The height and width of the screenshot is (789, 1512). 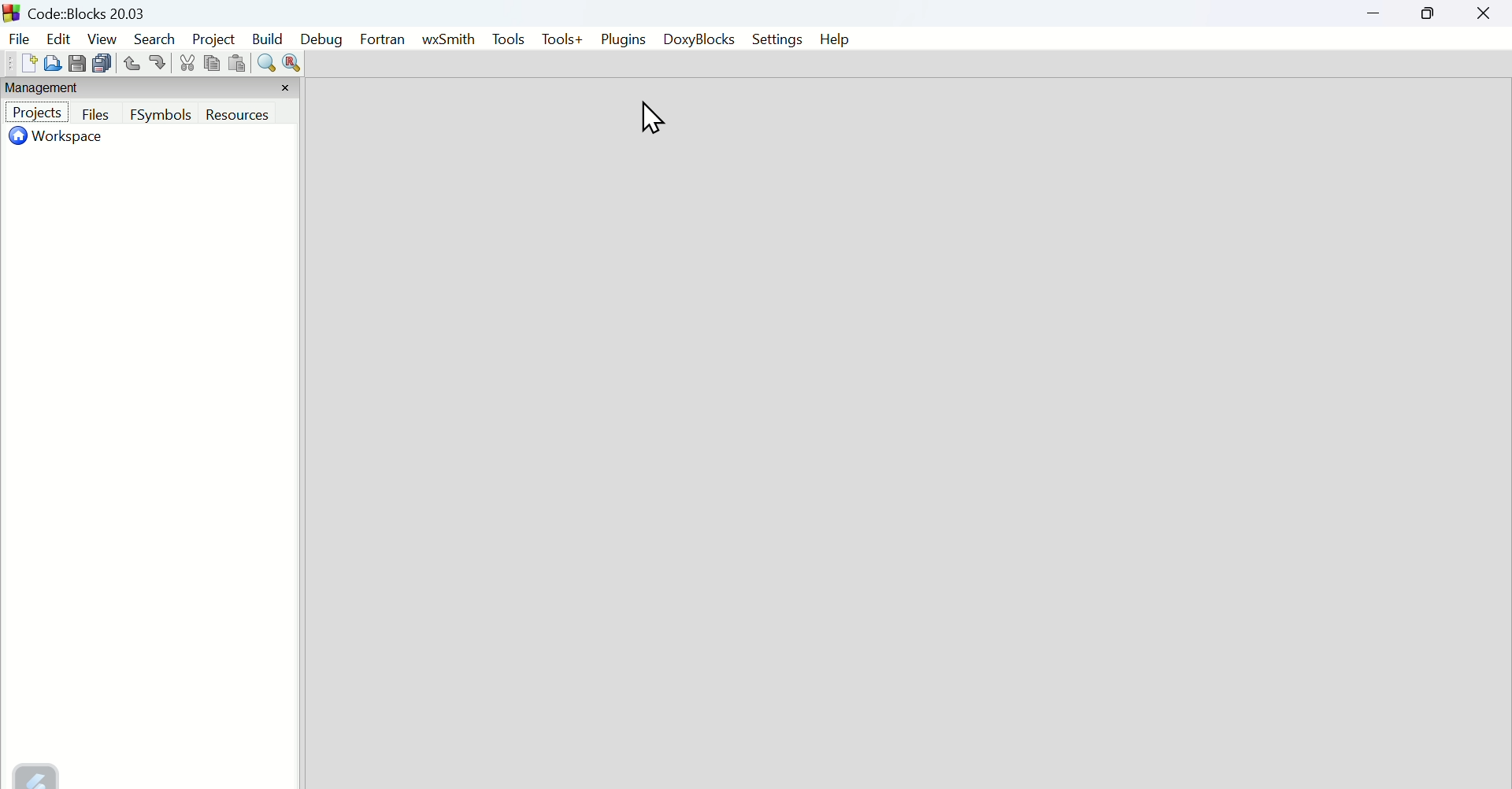 What do you see at coordinates (161, 114) in the screenshot?
I see `F symbols` at bounding box center [161, 114].